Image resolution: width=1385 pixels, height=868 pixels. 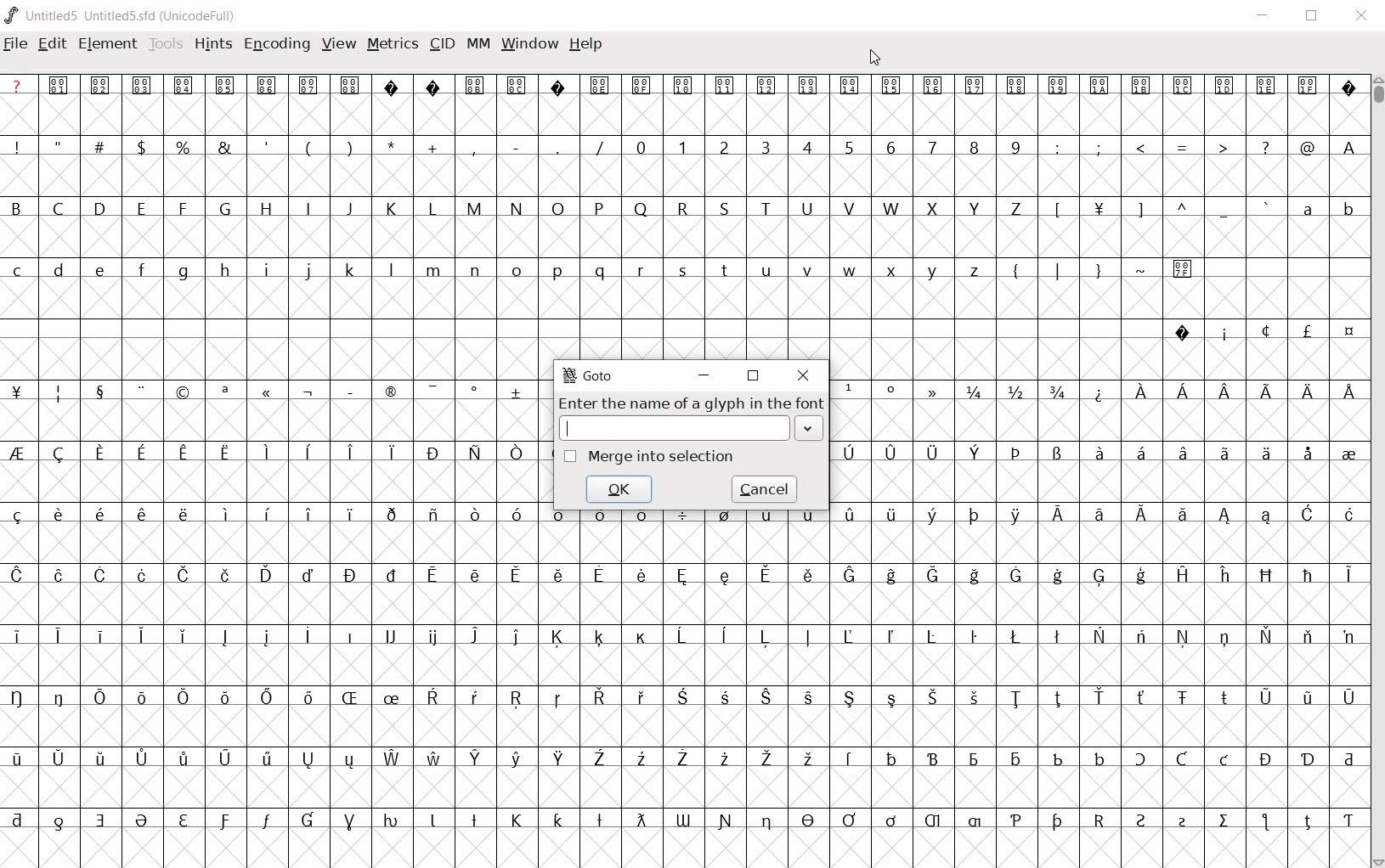 I want to click on HELP, so click(x=585, y=46).